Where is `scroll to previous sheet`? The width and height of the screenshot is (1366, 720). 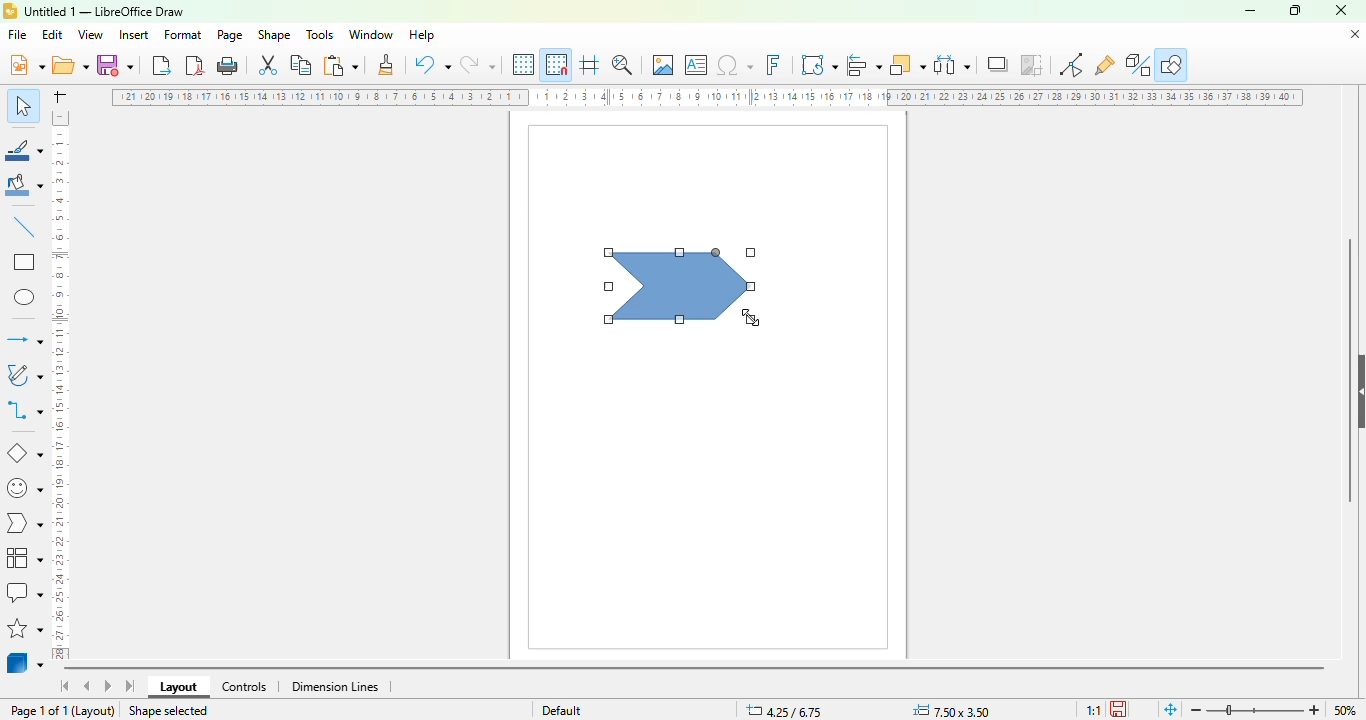 scroll to previous sheet is located at coordinates (87, 685).